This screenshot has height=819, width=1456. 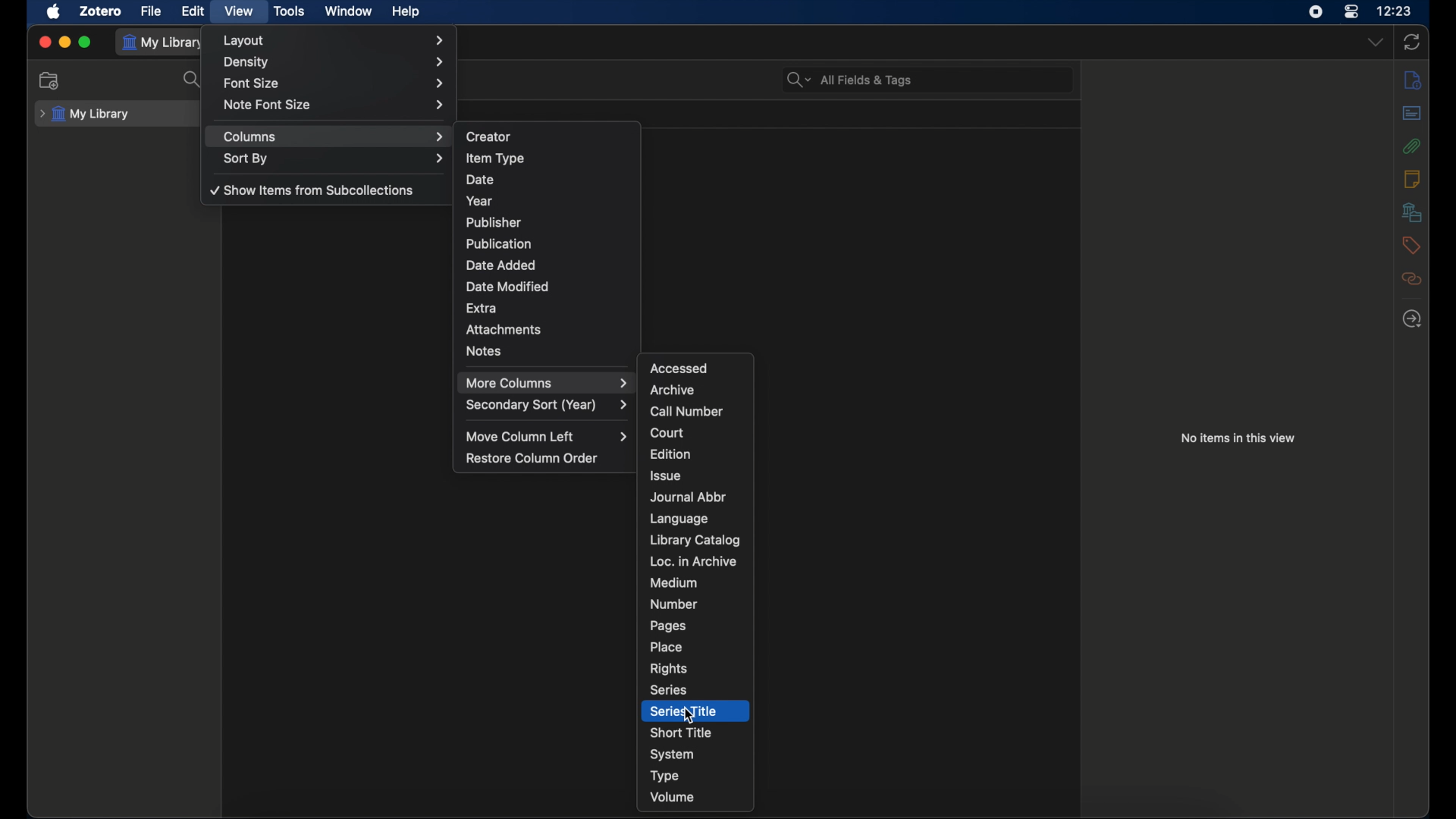 I want to click on secondary sort, so click(x=547, y=405).